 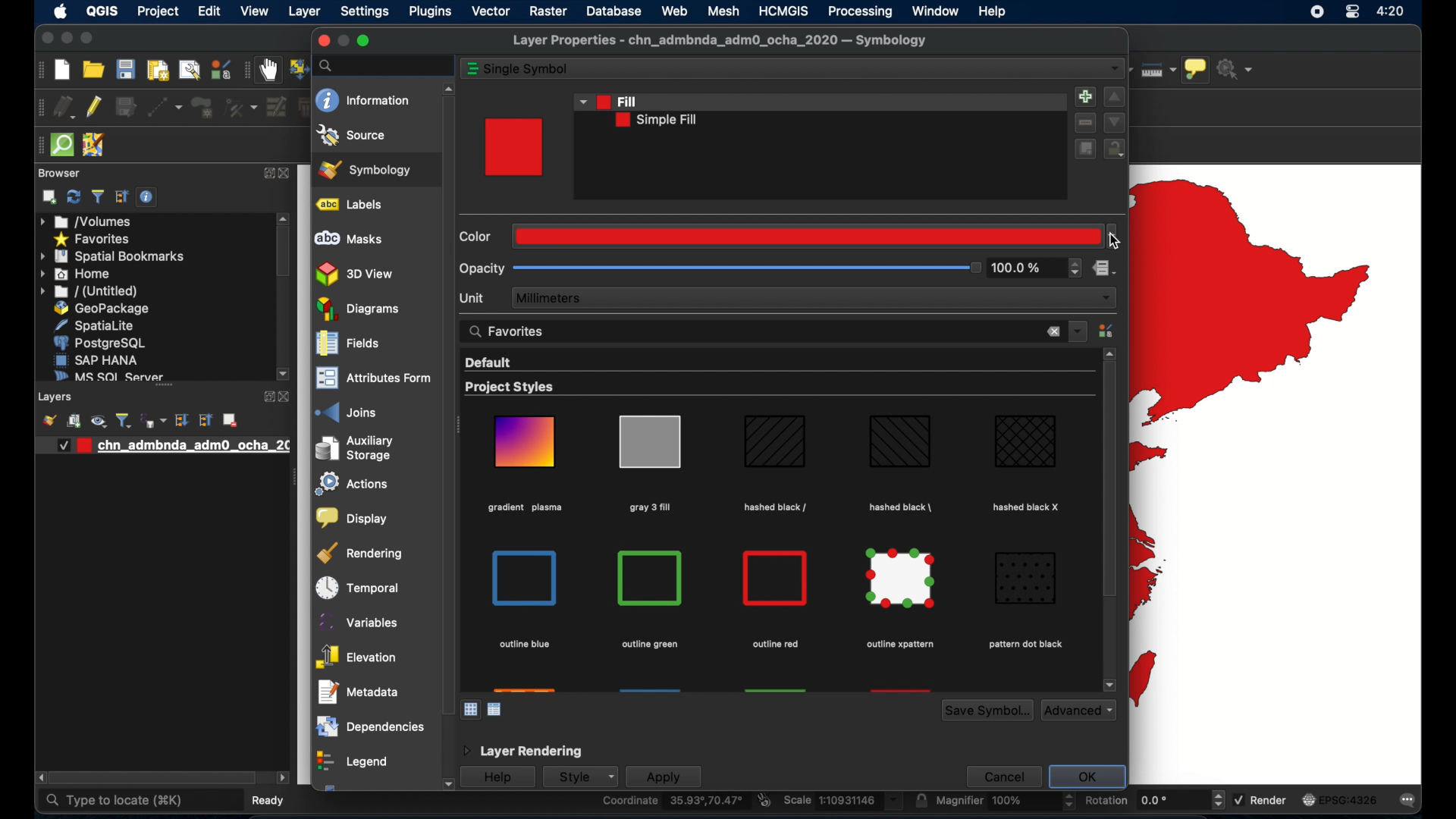 What do you see at coordinates (776, 507) in the screenshot?
I see `hashed black/` at bounding box center [776, 507].